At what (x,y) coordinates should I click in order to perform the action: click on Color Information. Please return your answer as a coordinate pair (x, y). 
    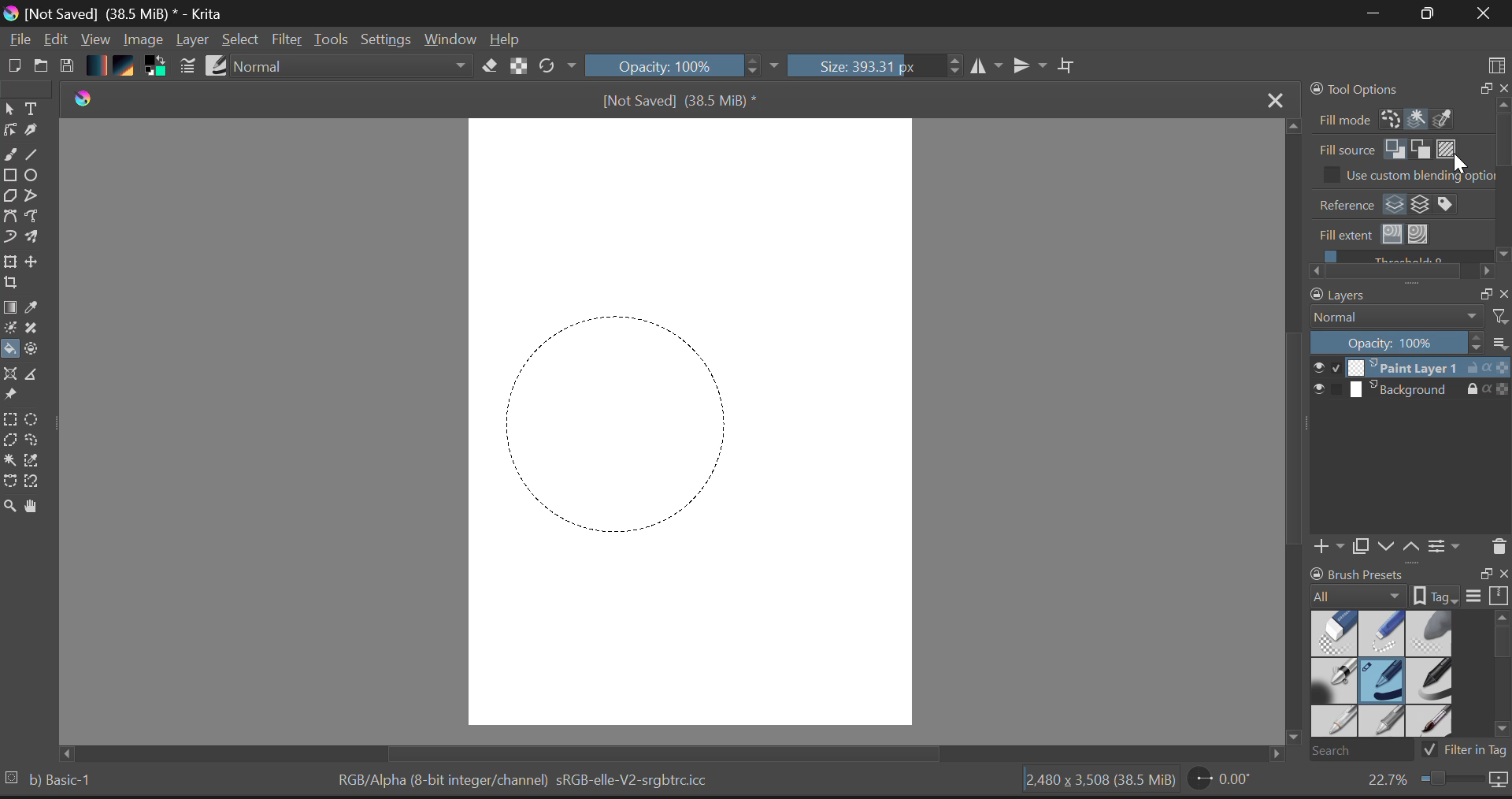
    Looking at the image, I should click on (528, 782).